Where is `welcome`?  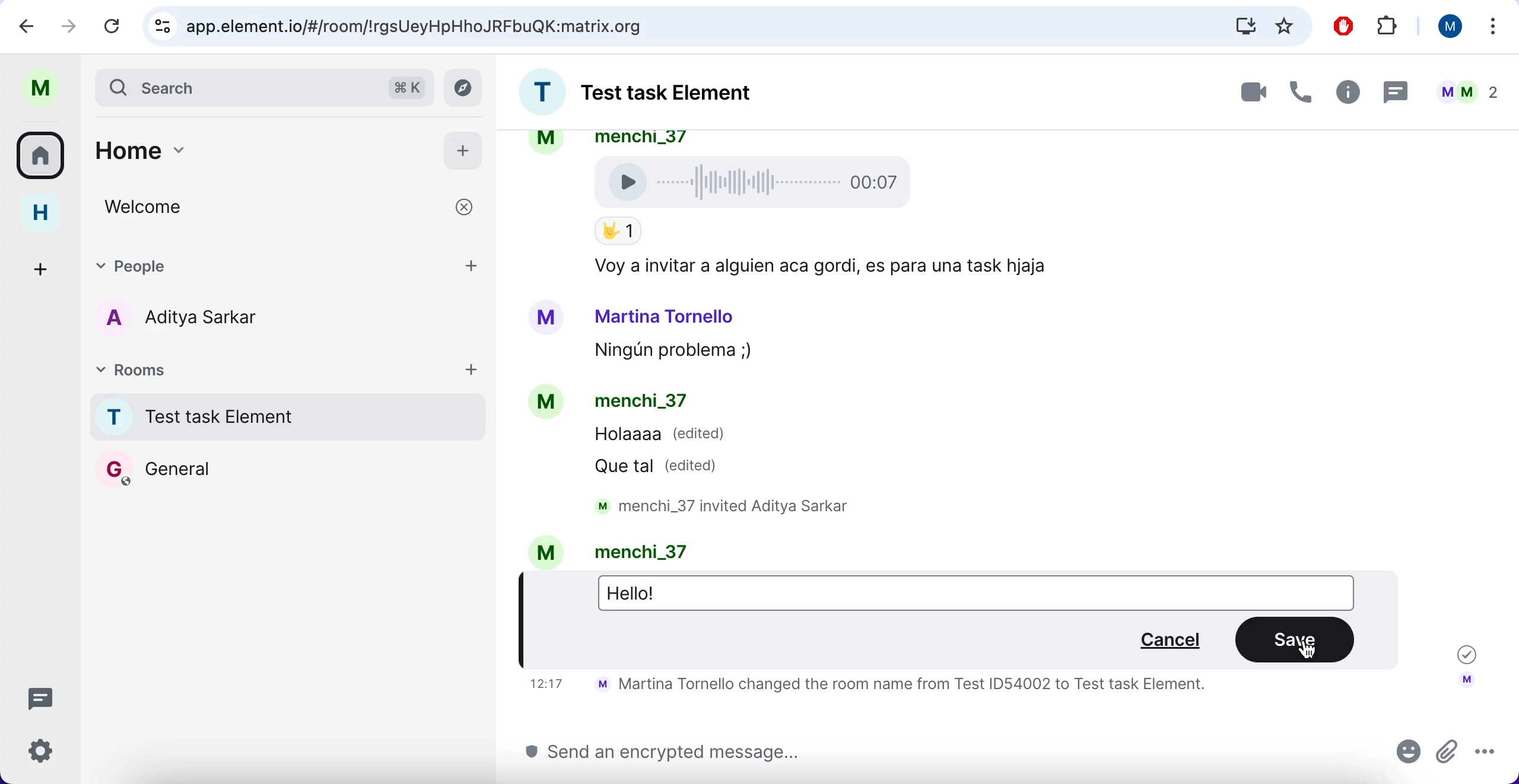 welcome is located at coordinates (287, 209).